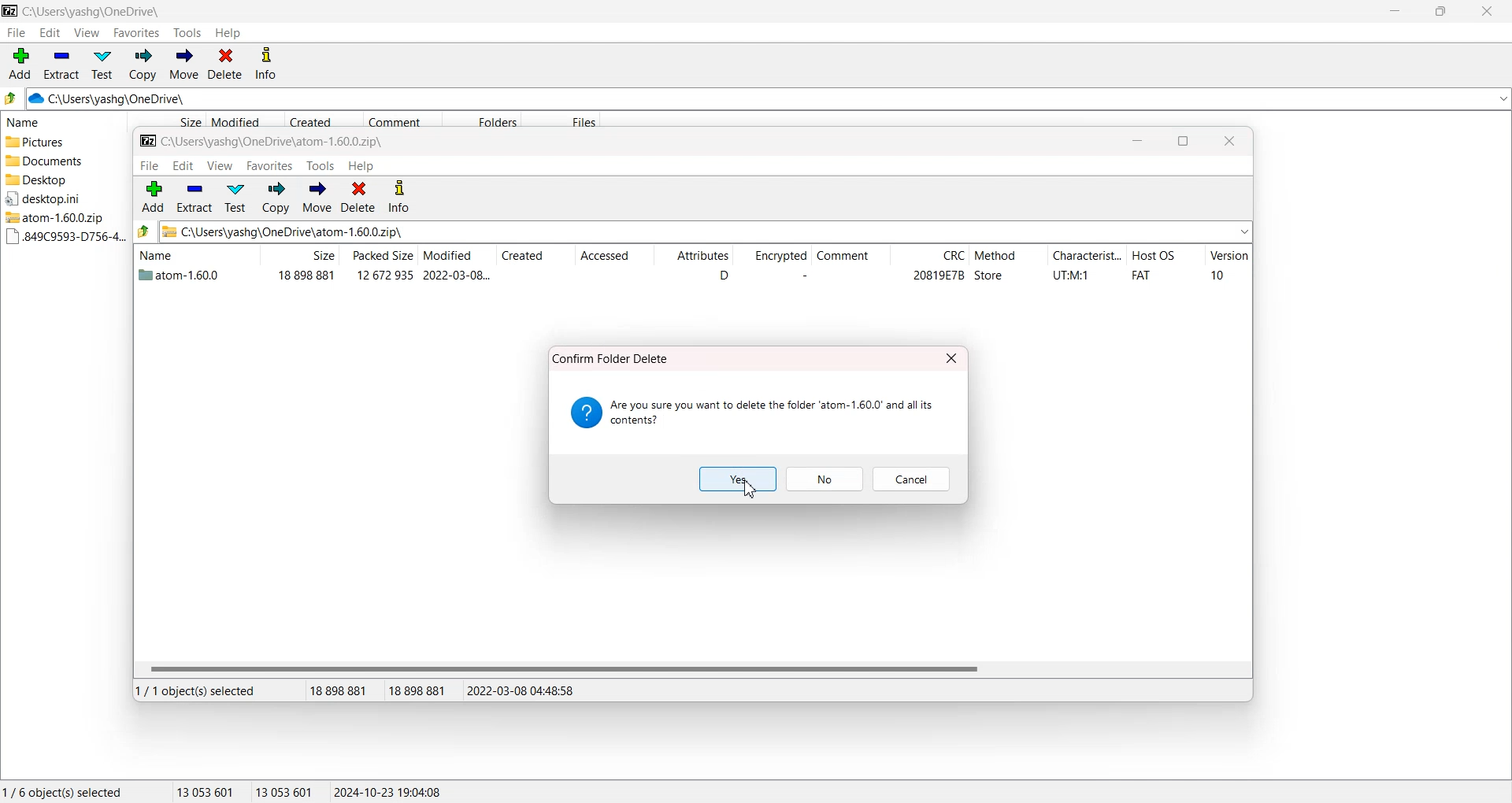 This screenshot has height=803, width=1512. What do you see at coordinates (693, 257) in the screenshot?
I see `Attributes` at bounding box center [693, 257].